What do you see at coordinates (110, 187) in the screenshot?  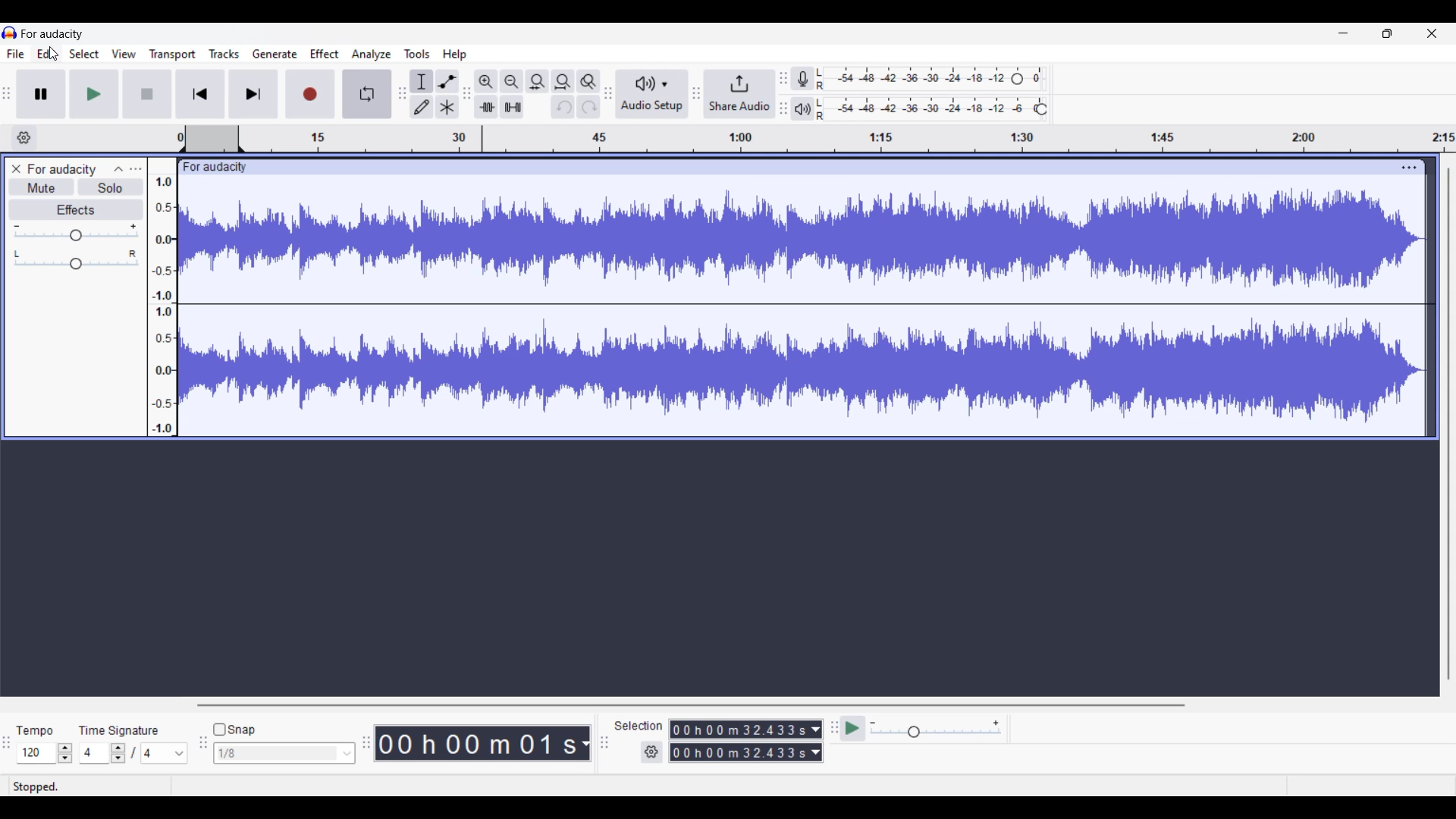 I see `Solo` at bounding box center [110, 187].